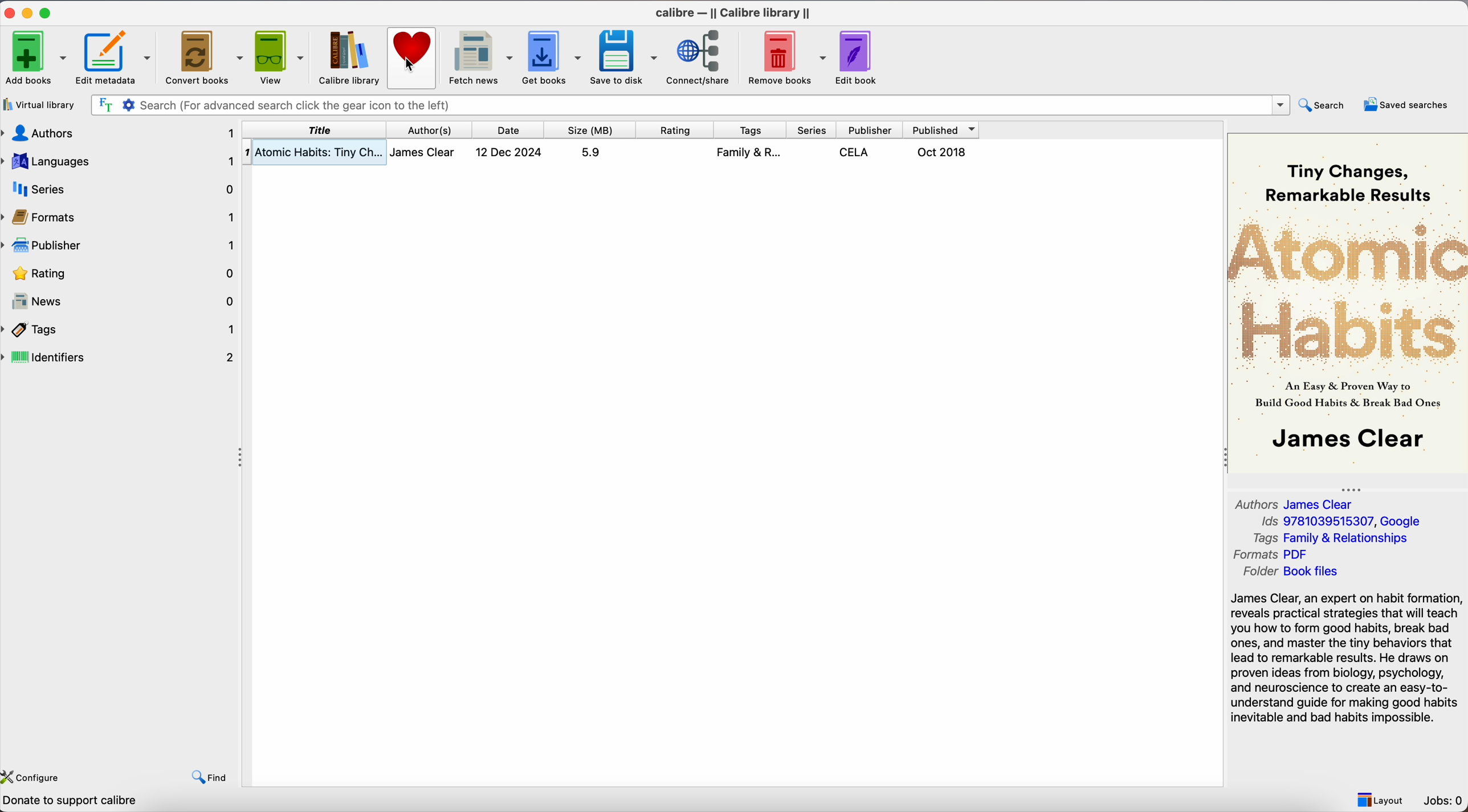  I want to click on news, so click(122, 300).